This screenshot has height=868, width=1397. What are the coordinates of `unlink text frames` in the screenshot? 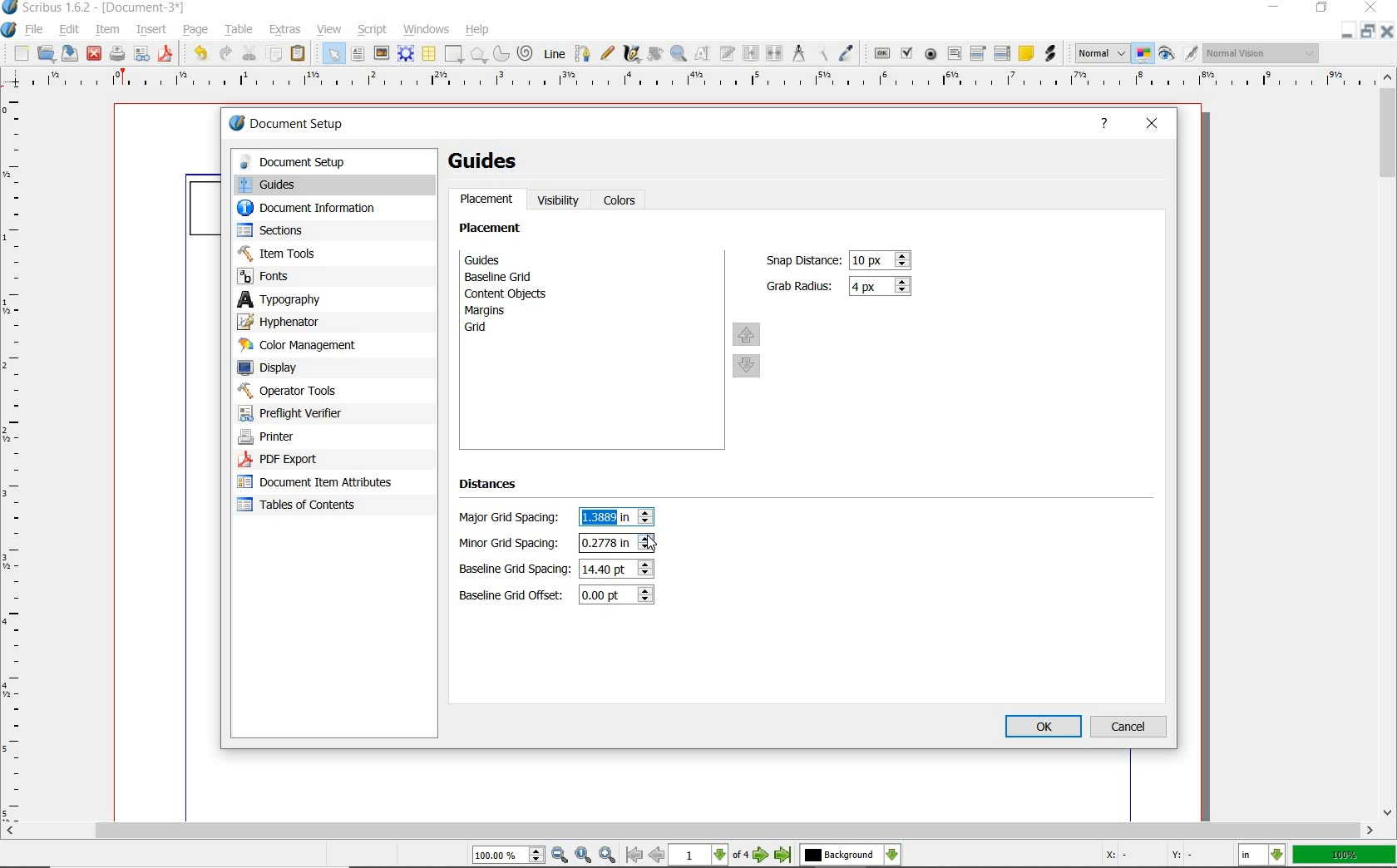 It's located at (773, 52).